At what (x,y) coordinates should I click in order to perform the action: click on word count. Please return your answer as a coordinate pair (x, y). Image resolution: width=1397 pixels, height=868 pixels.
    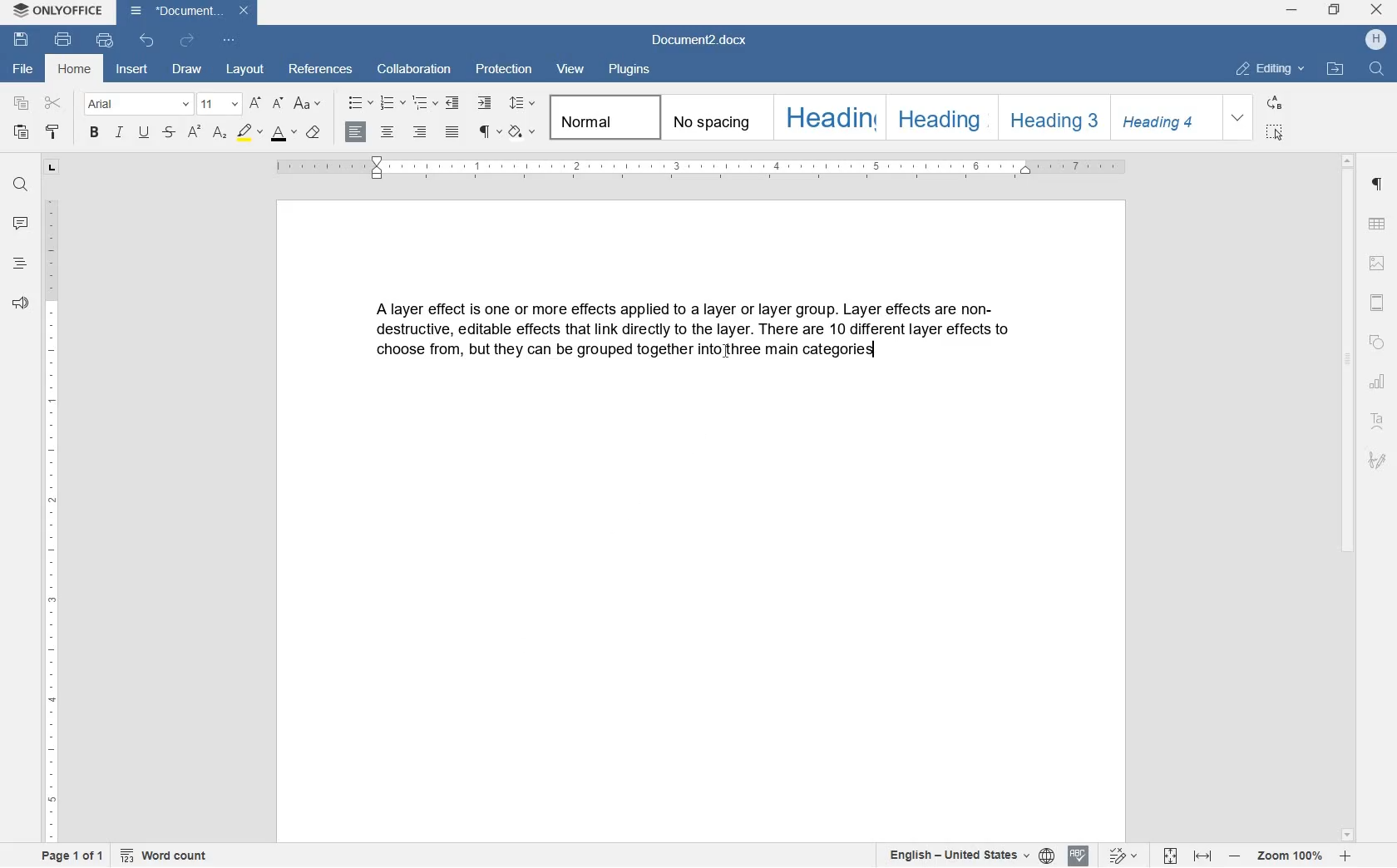
    Looking at the image, I should click on (165, 856).